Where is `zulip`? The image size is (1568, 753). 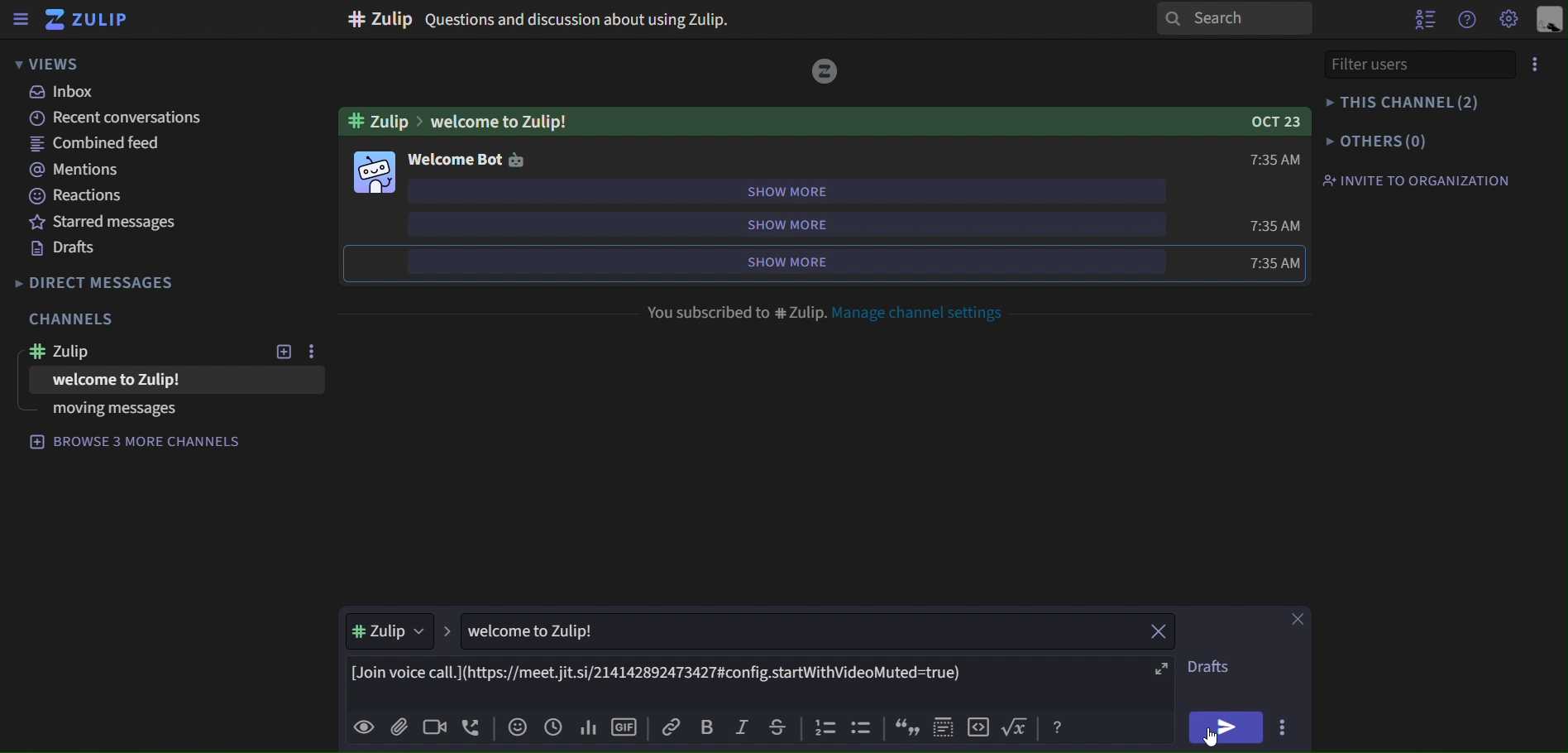
zulip is located at coordinates (93, 20).